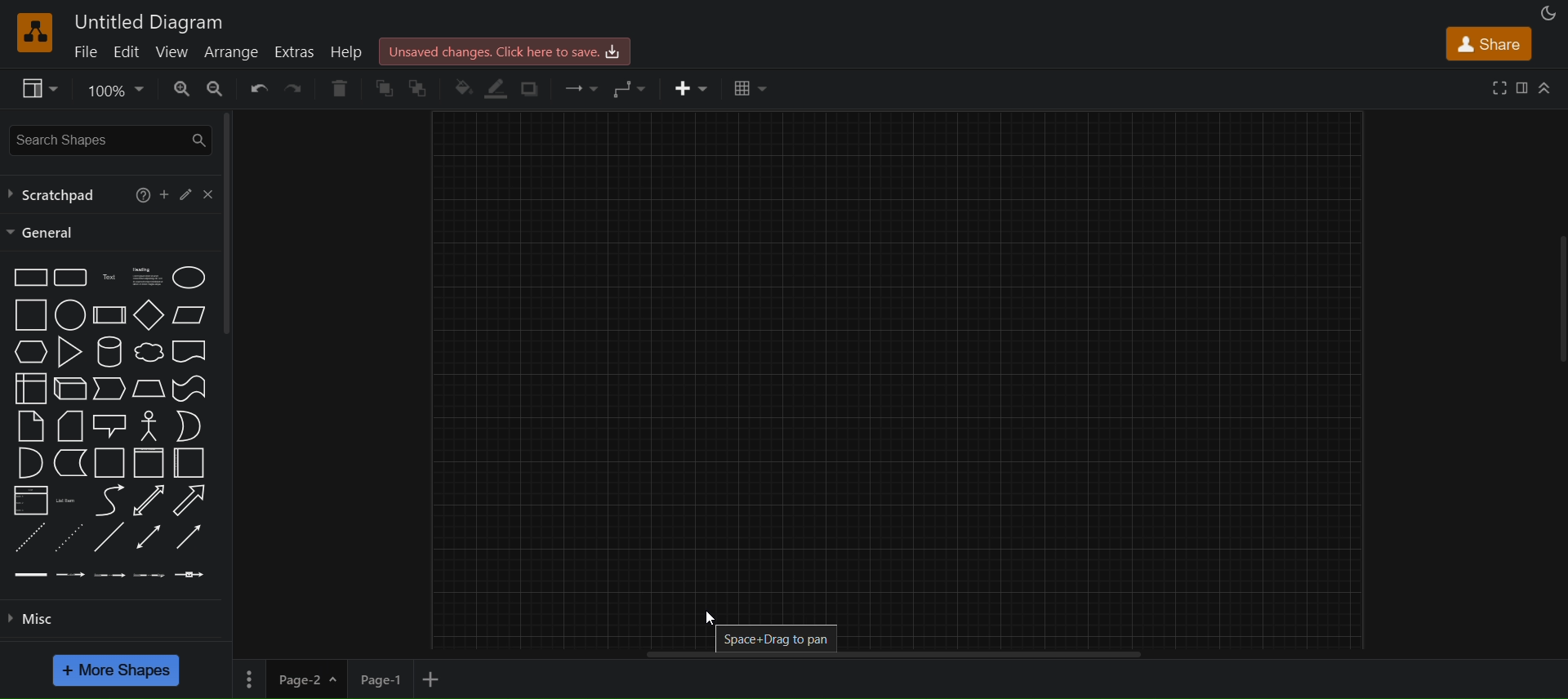 The image size is (1568, 699). Describe the element at coordinates (149, 501) in the screenshot. I see `bidirectional arrow` at that location.